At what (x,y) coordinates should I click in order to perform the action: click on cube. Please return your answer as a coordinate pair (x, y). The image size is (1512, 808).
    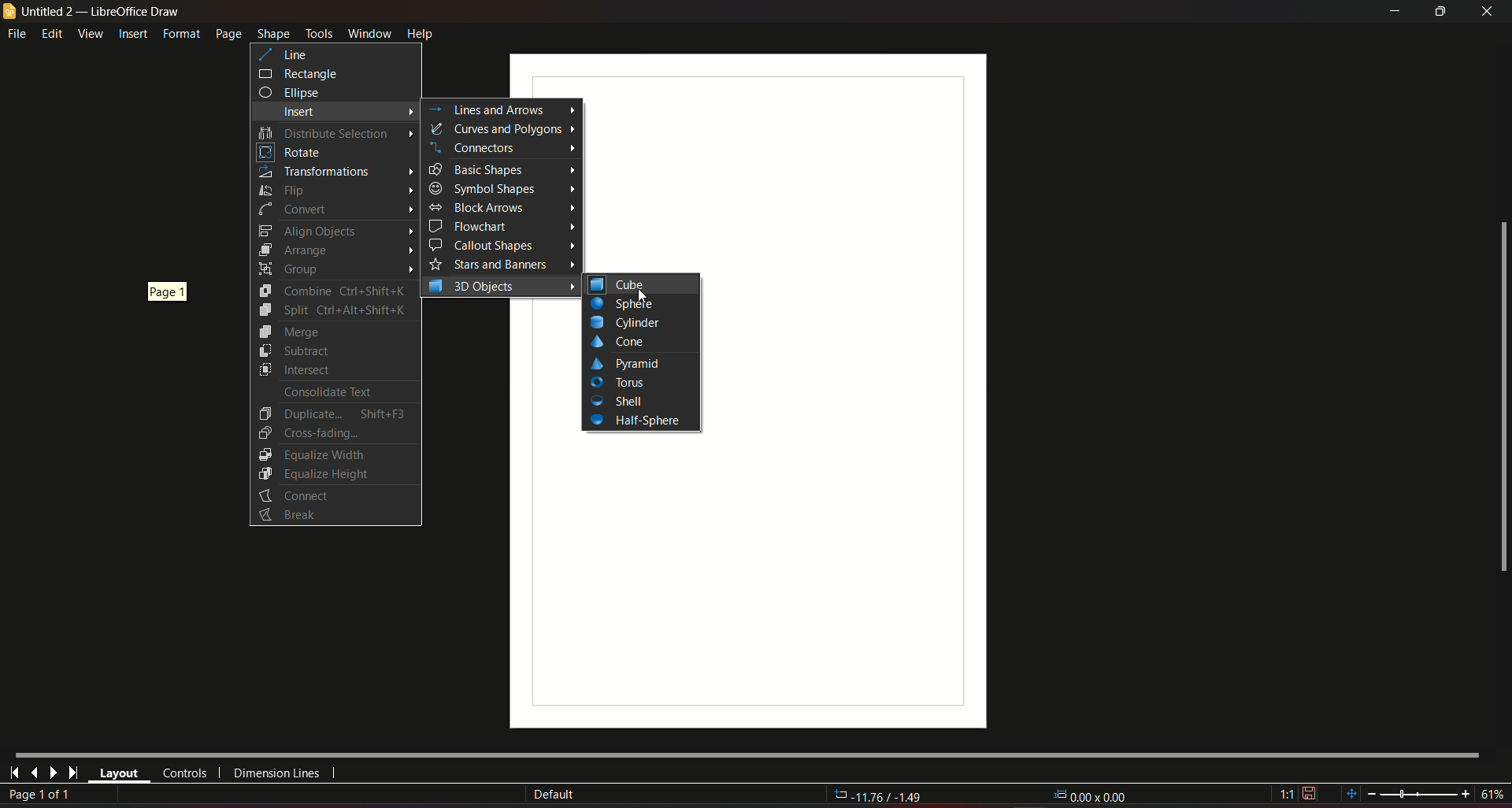
    Looking at the image, I should click on (628, 284).